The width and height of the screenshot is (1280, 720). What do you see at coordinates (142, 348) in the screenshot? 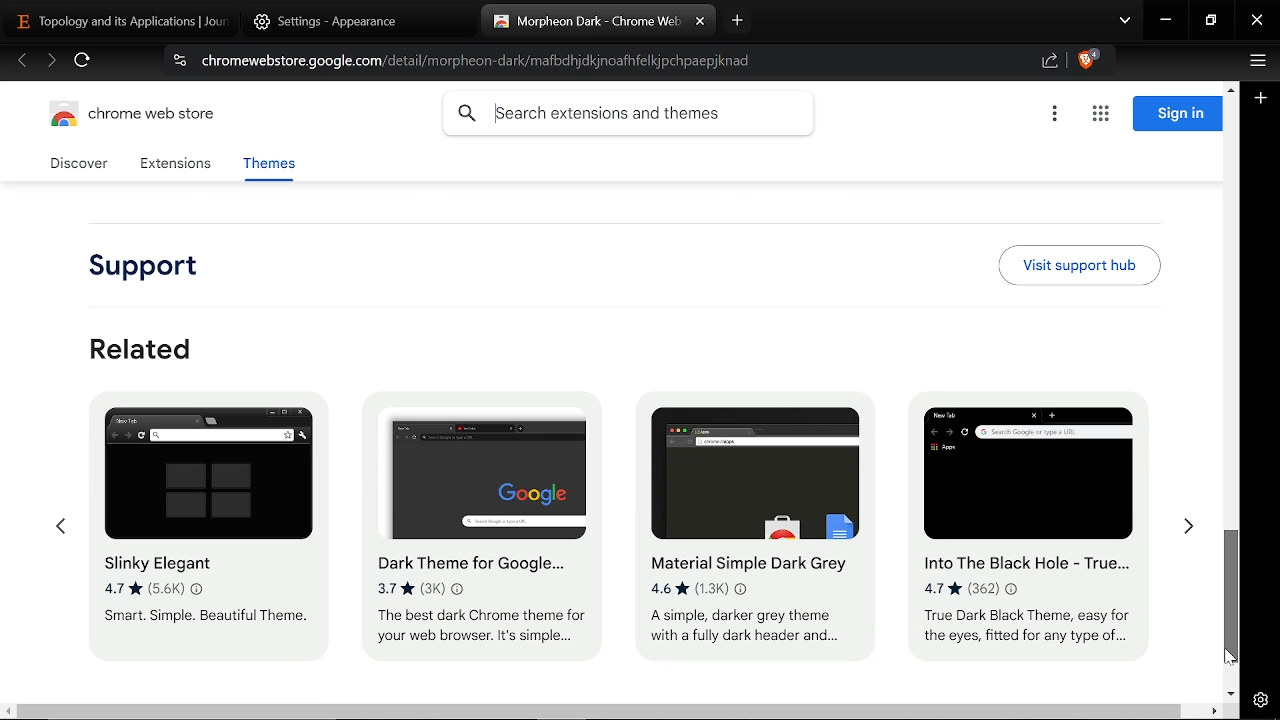
I see `Related` at bounding box center [142, 348].